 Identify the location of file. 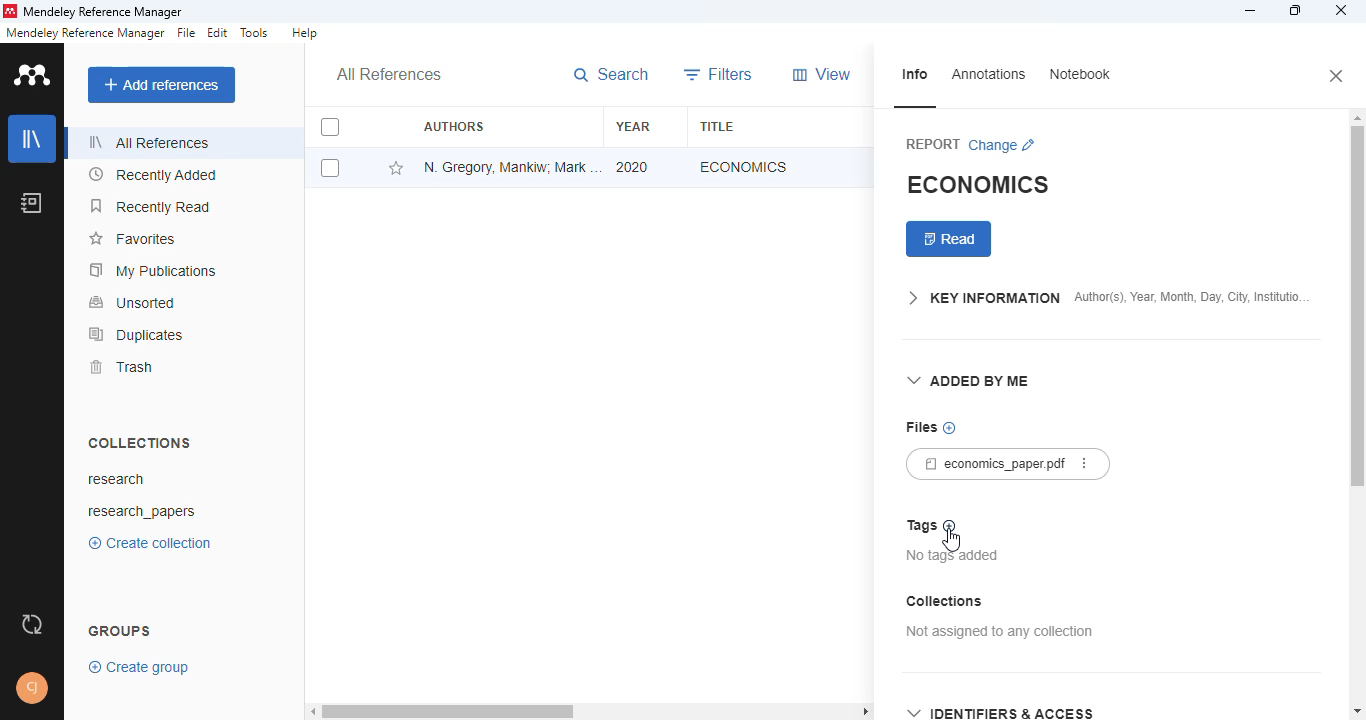
(187, 33).